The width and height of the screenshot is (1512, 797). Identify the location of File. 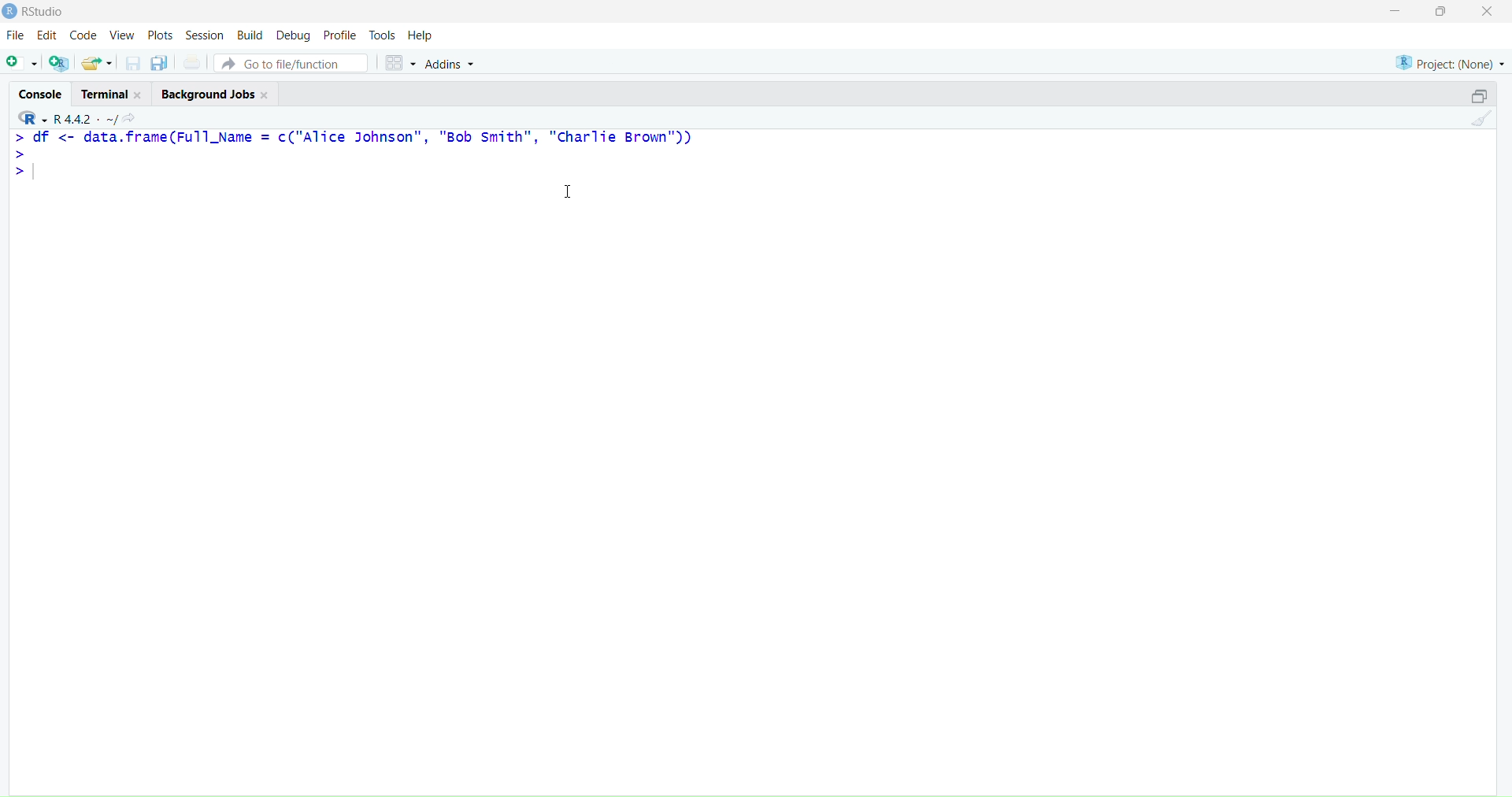
(17, 36).